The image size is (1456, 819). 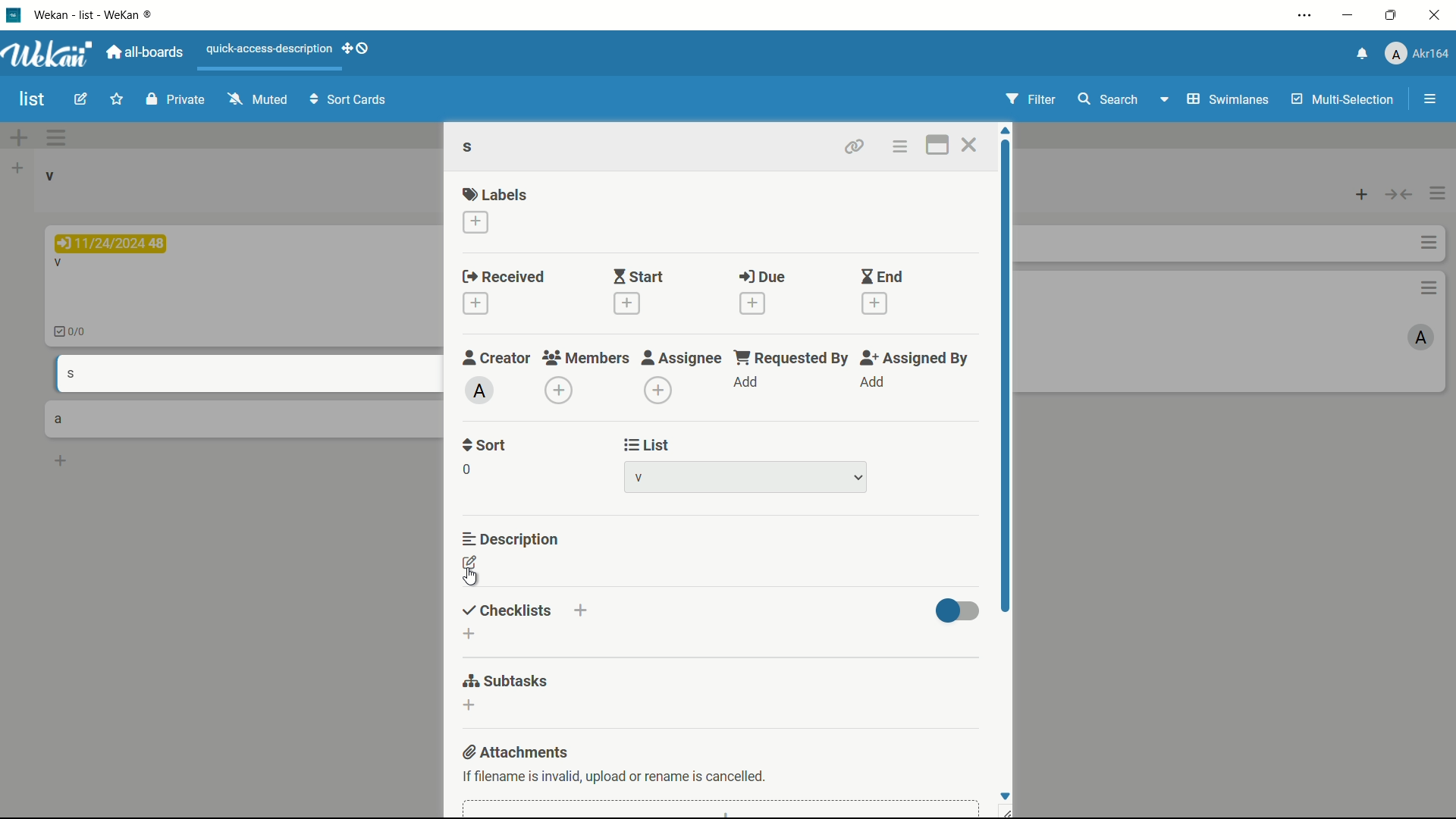 I want to click on admin, so click(x=479, y=391).